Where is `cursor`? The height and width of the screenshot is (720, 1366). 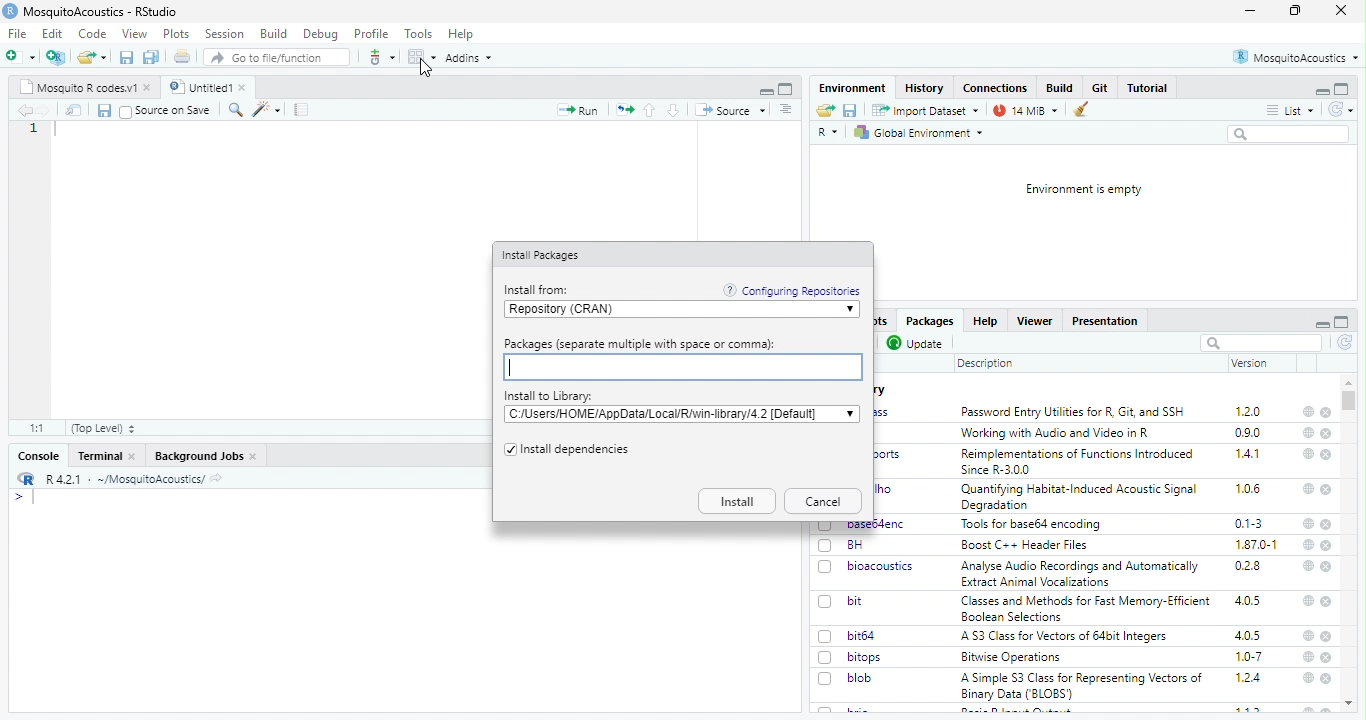 cursor is located at coordinates (426, 68).